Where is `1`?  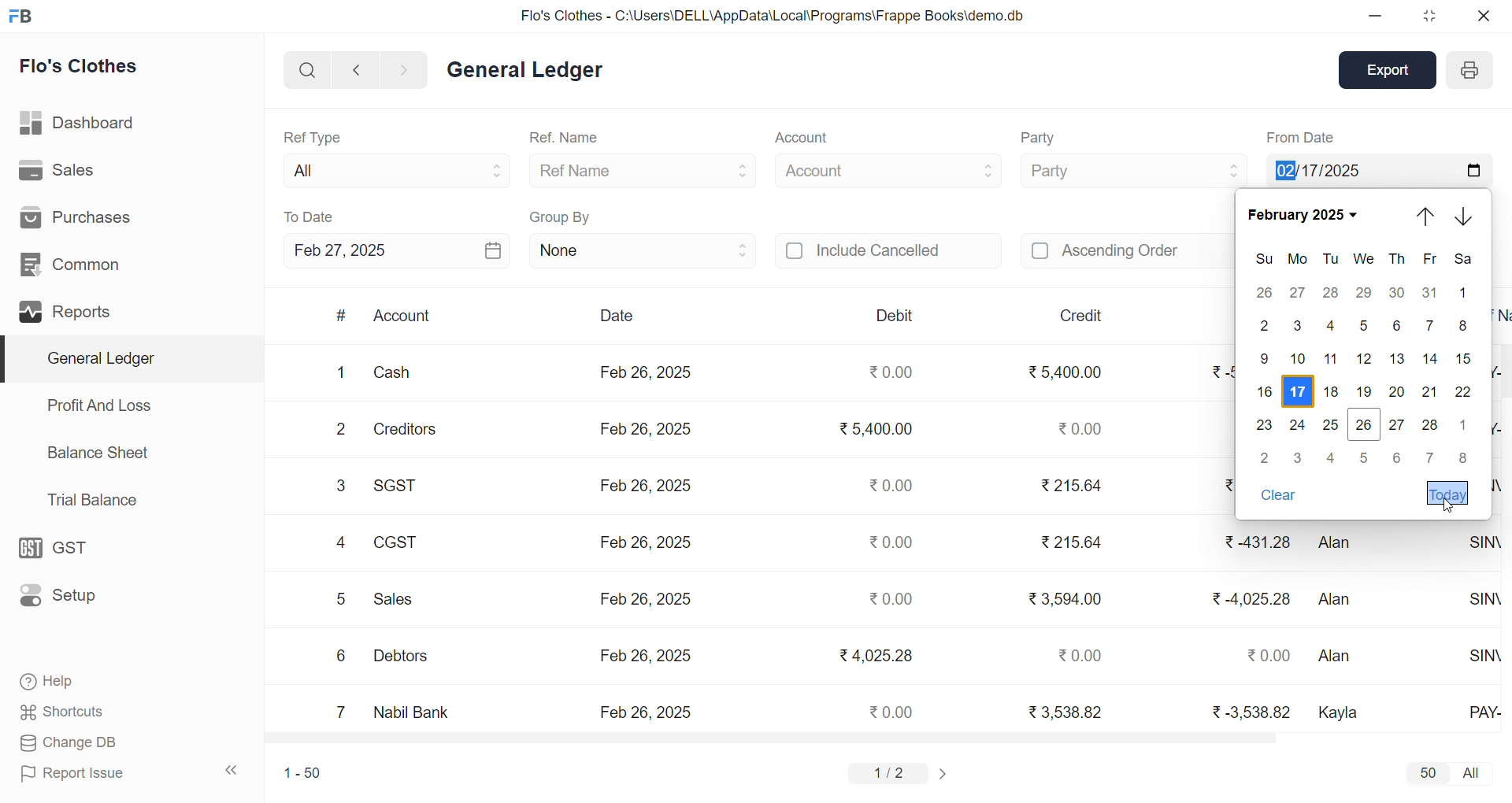
1 is located at coordinates (1464, 421).